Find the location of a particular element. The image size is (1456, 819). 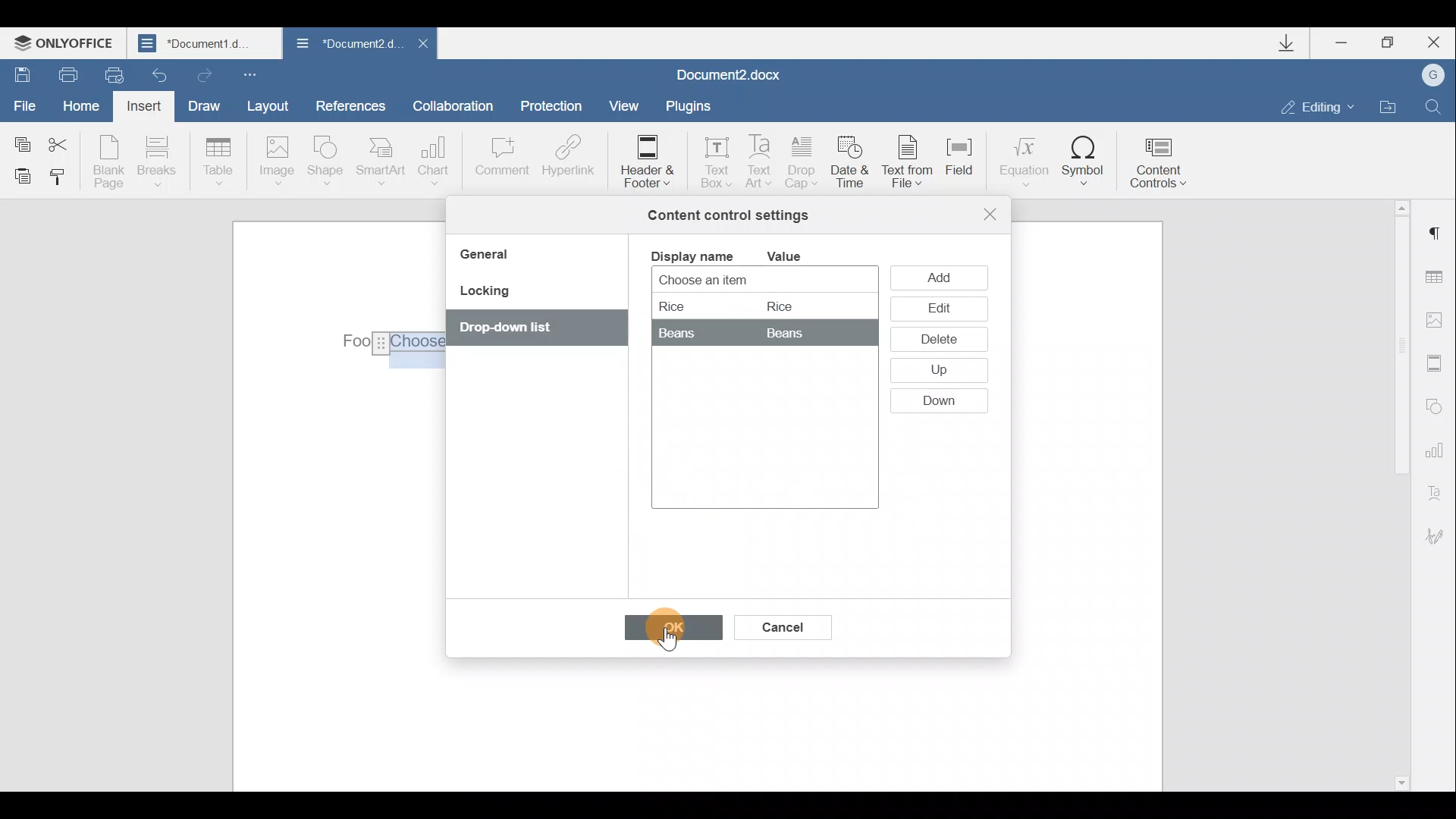

Text Art is located at coordinates (761, 162).